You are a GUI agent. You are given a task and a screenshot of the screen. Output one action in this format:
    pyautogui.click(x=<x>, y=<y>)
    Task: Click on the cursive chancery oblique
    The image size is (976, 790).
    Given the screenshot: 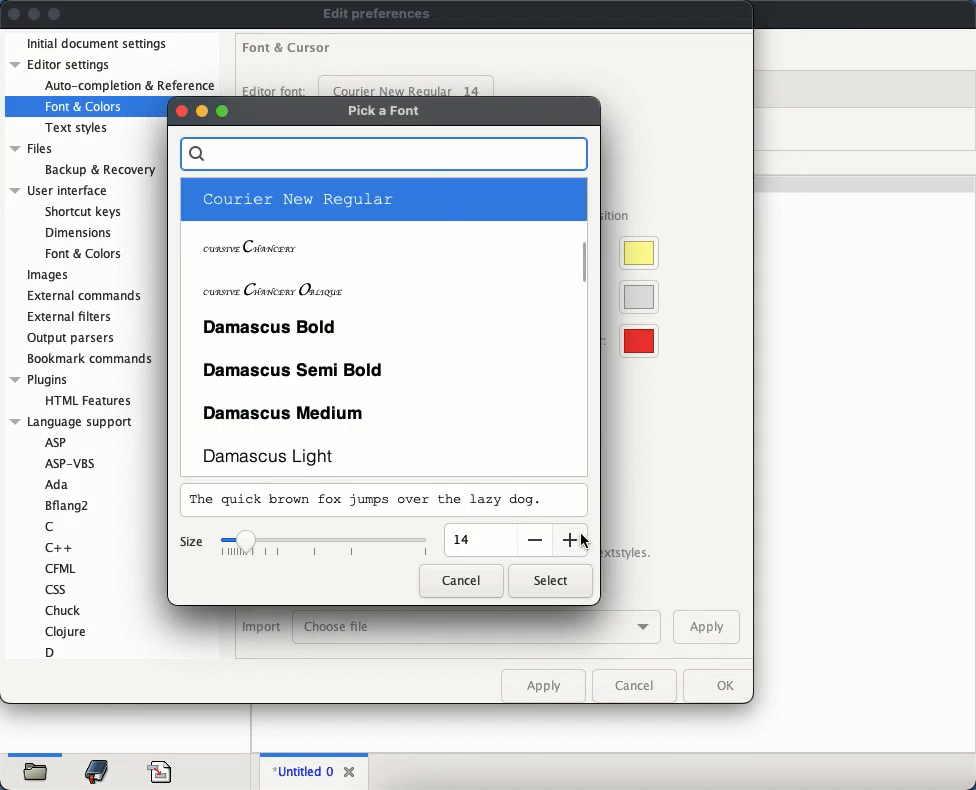 What is the action you would take?
    pyautogui.click(x=380, y=286)
    